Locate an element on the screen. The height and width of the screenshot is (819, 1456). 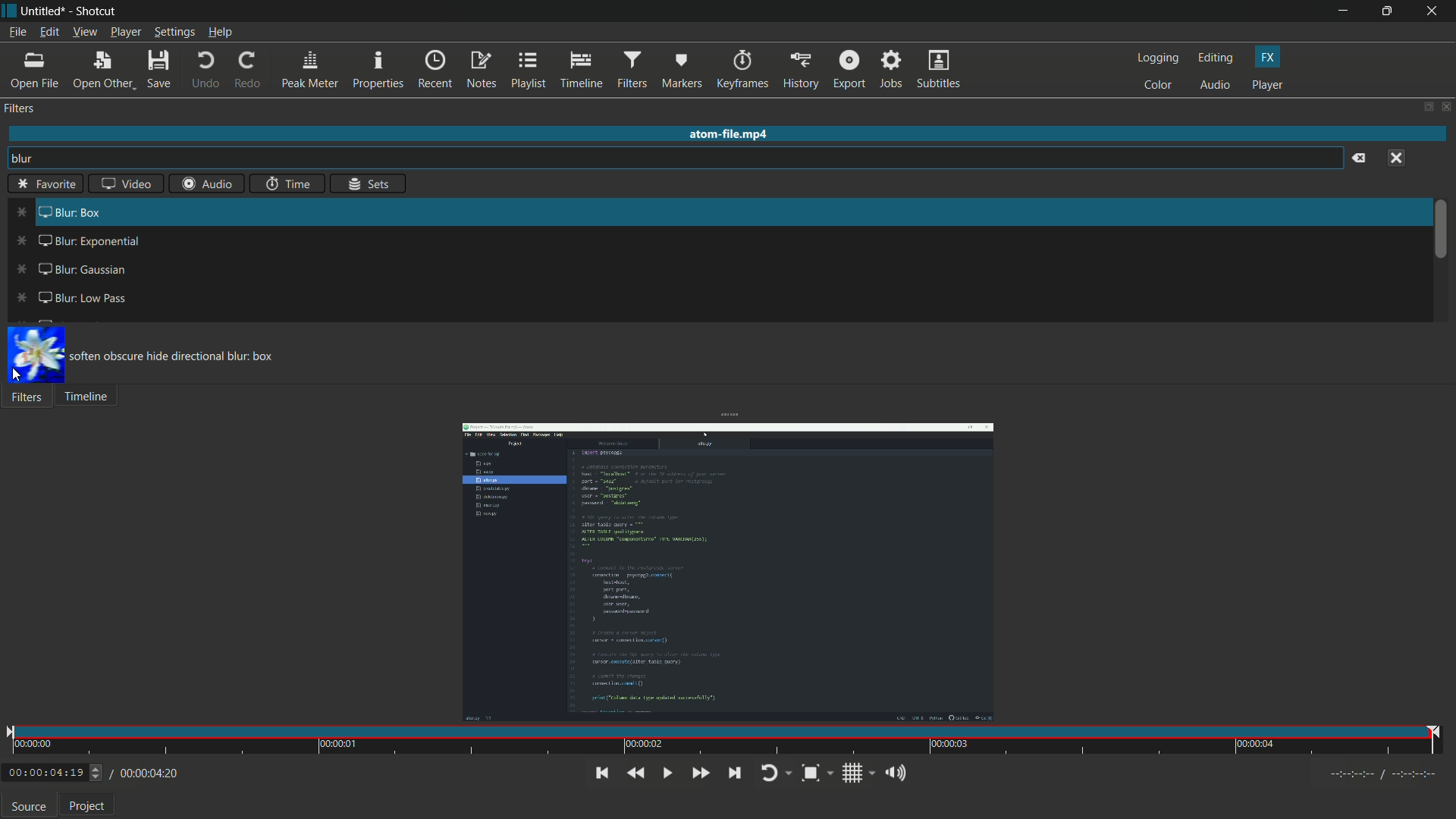
recent is located at coordinates (435, 71).